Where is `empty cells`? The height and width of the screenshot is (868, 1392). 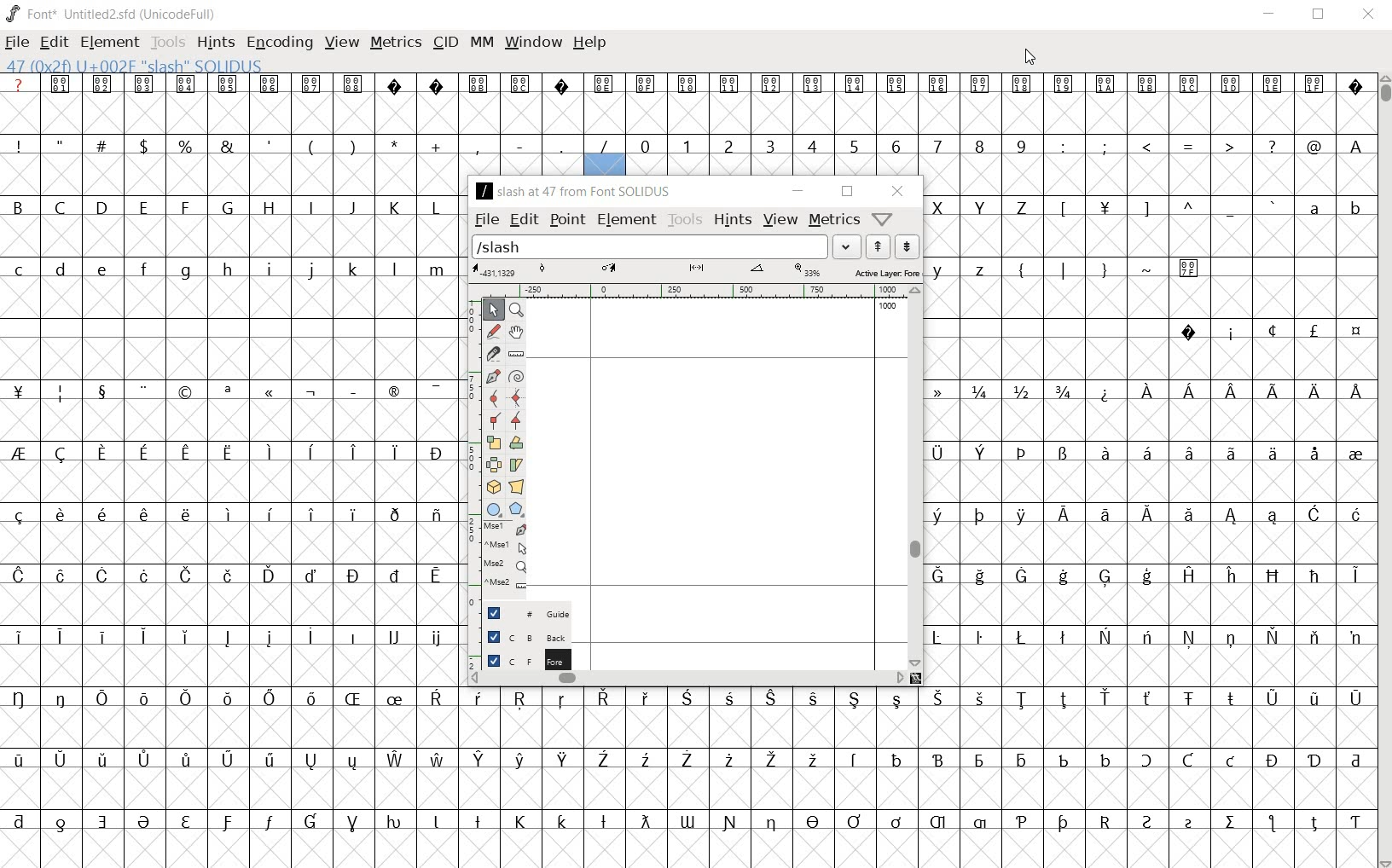
empty cells is located at coordinates (227, 235).